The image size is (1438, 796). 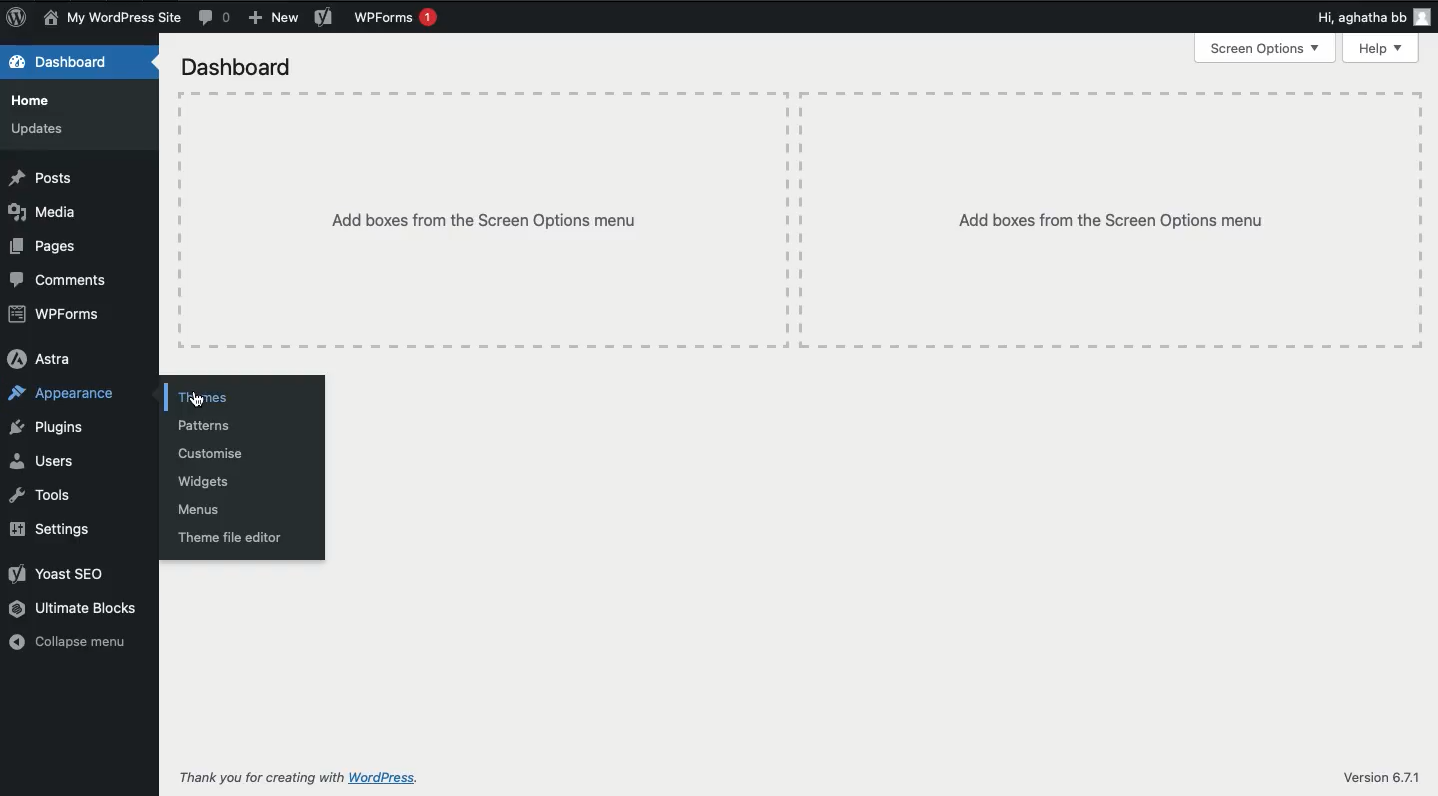 I want to click on Click, so click(x=194, y=394).